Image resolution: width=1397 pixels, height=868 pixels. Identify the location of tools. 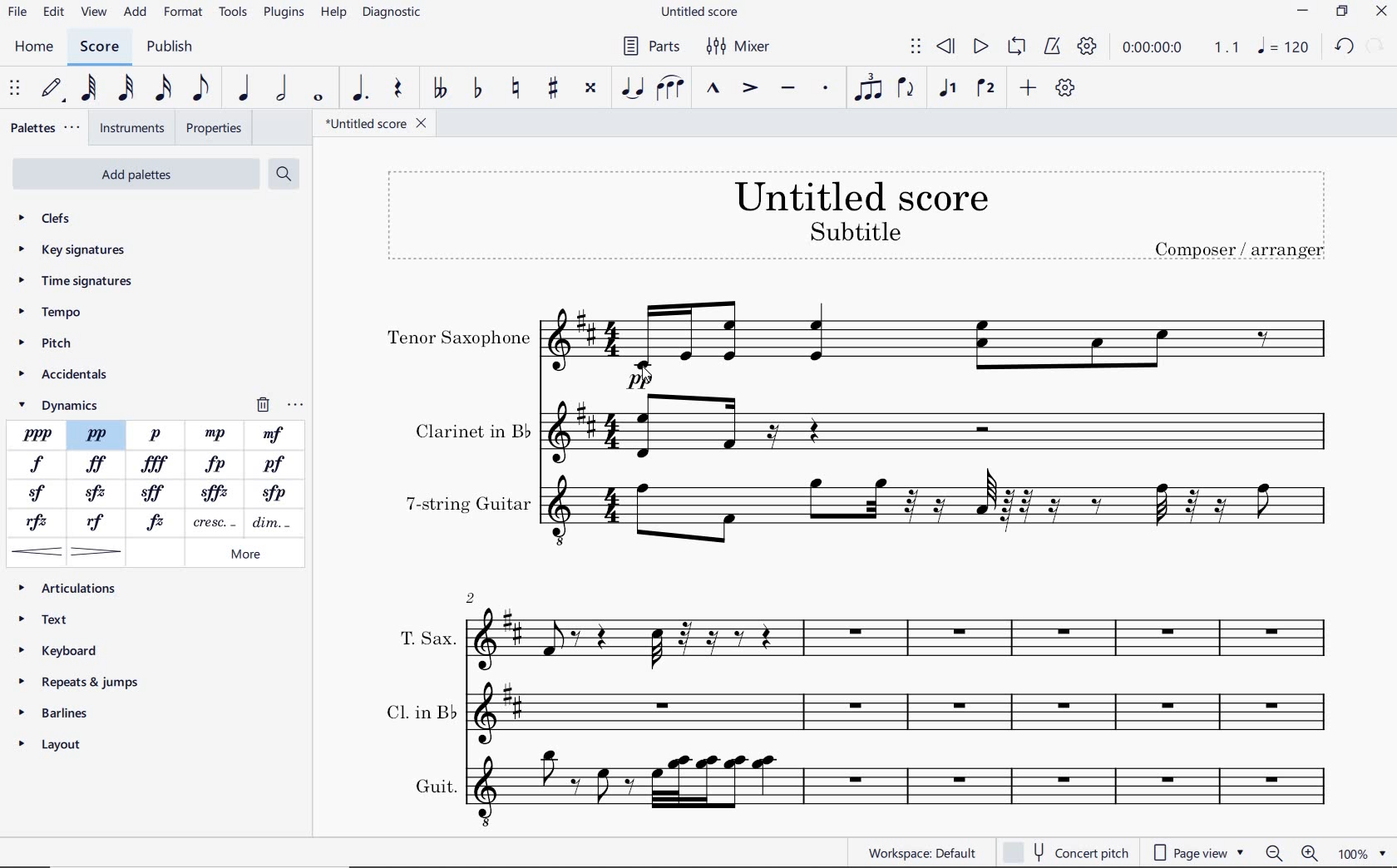
(231, 13).